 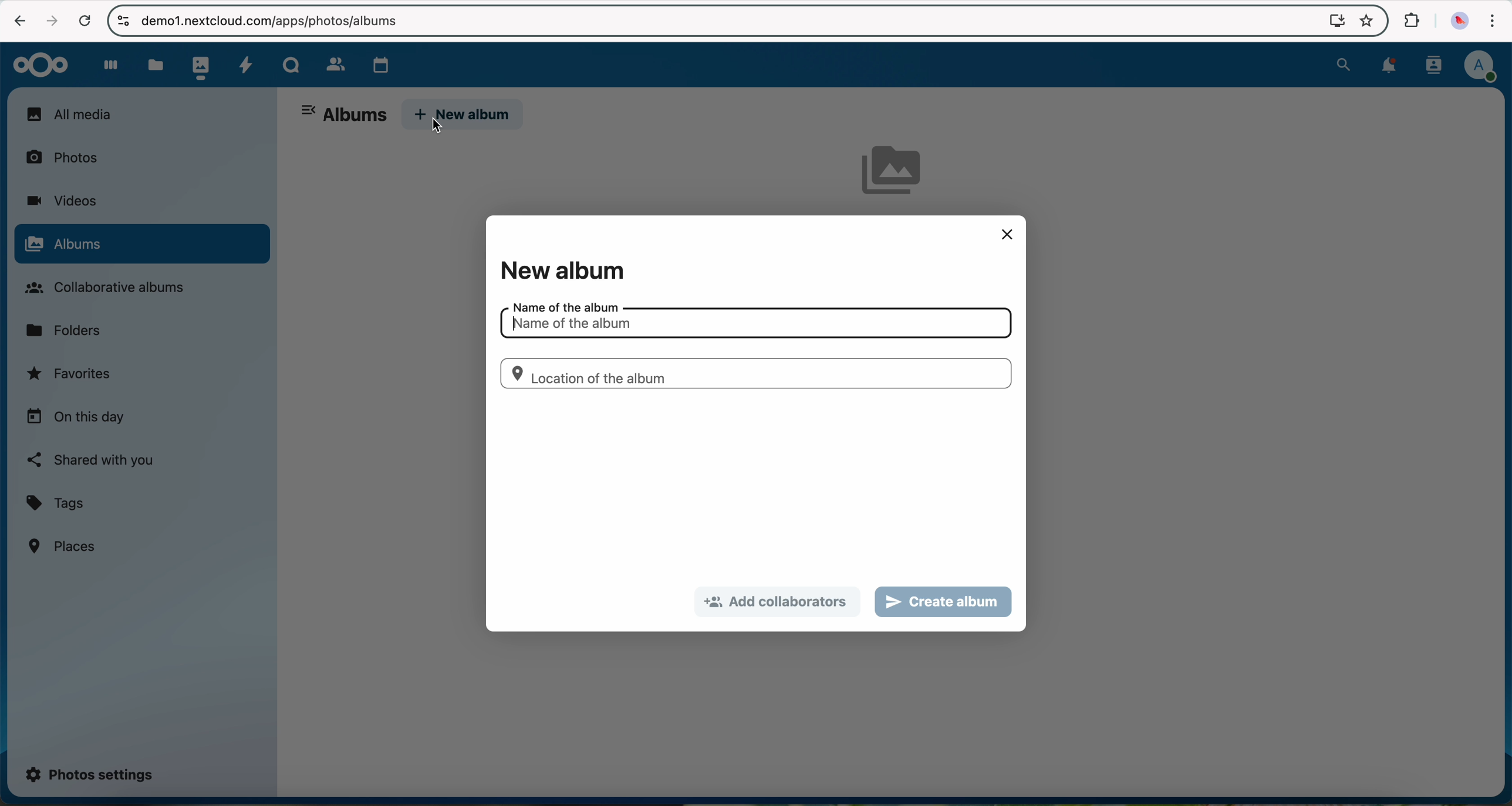 I want to click on close pop-up, so click(x=1007, y=234).